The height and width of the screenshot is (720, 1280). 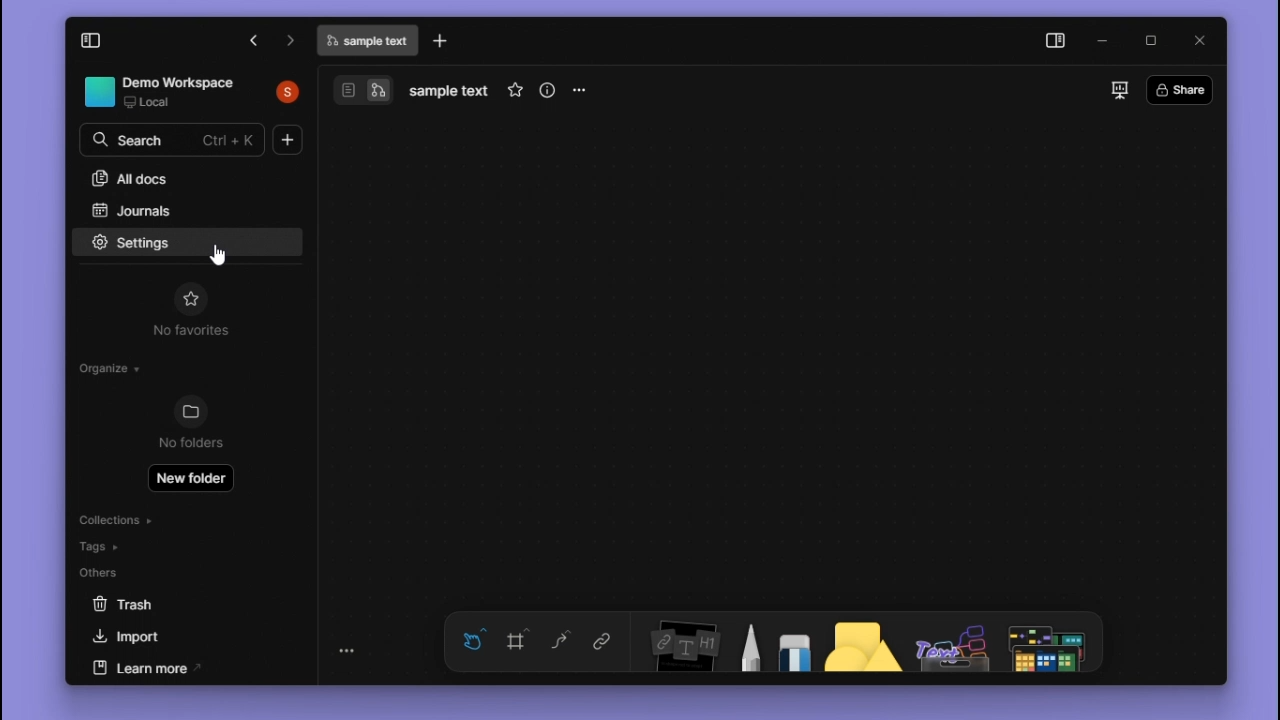 What do you see at coordinates (92, 42) in the screenshot?
I see `collapse sidebar` at bounding box center [92, 42].